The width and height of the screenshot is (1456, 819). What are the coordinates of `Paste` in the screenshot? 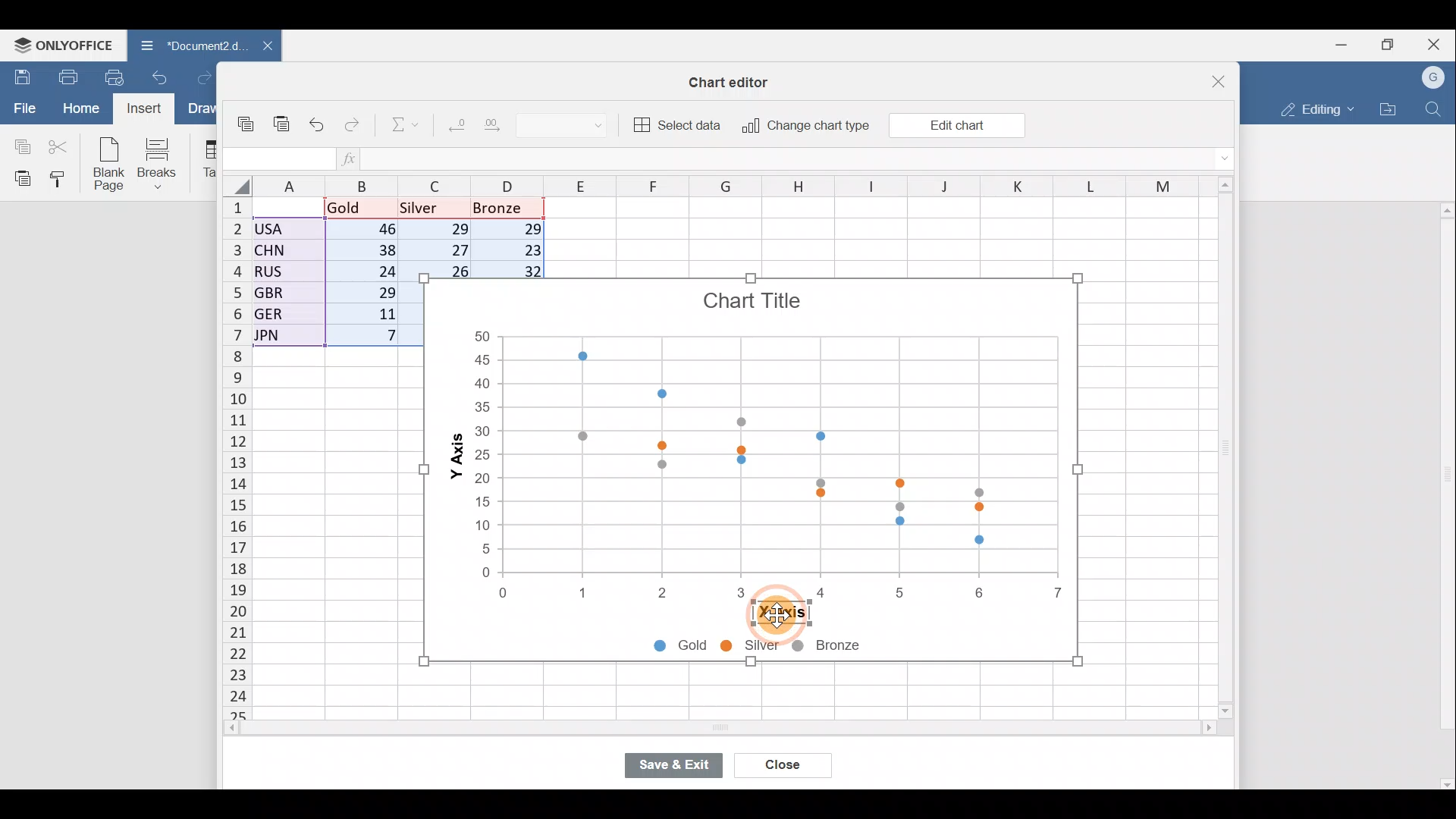 It's located at (281, 117).